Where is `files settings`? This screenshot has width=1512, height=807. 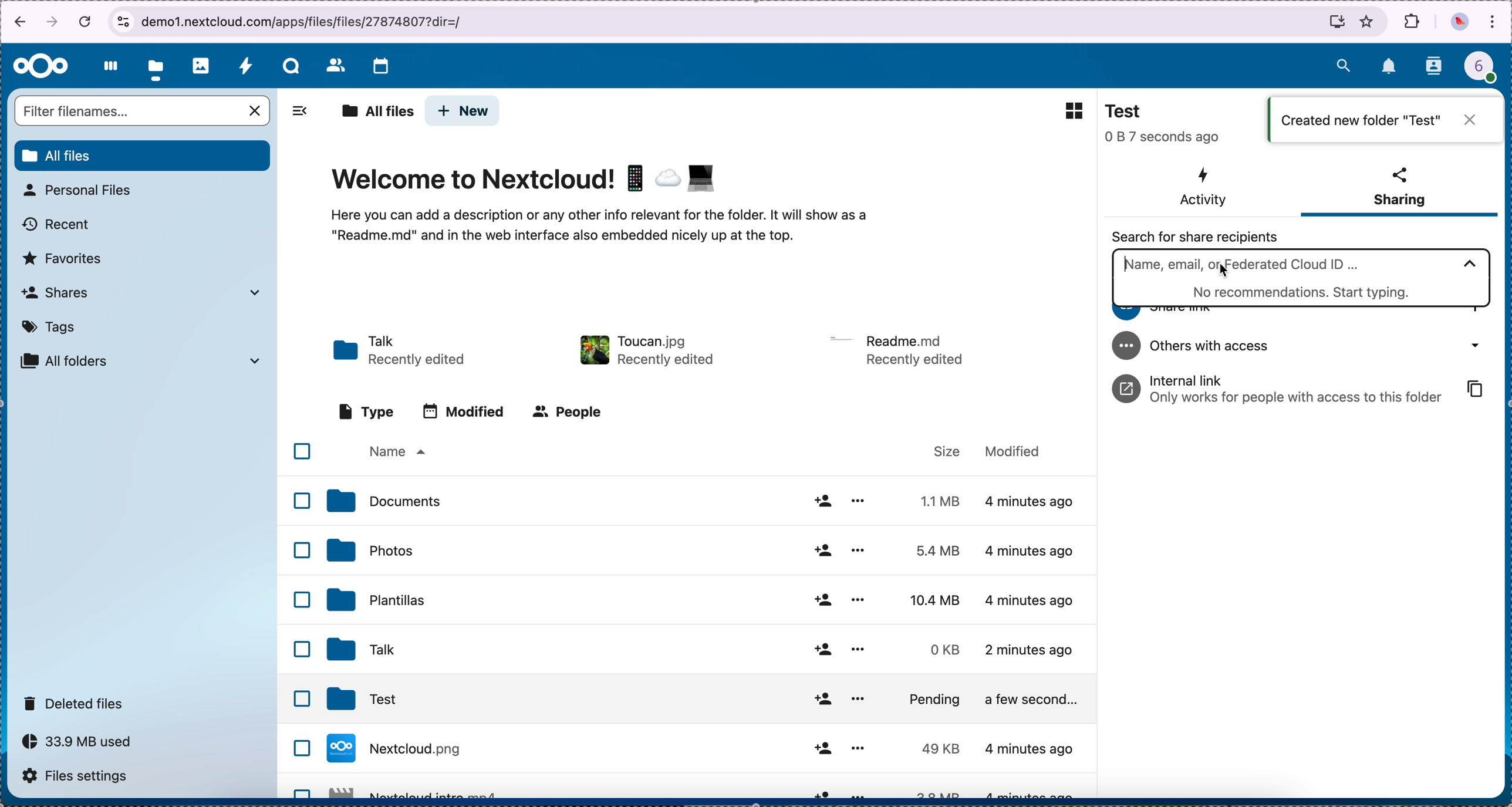
files settings is located at coordinates (81, 778).